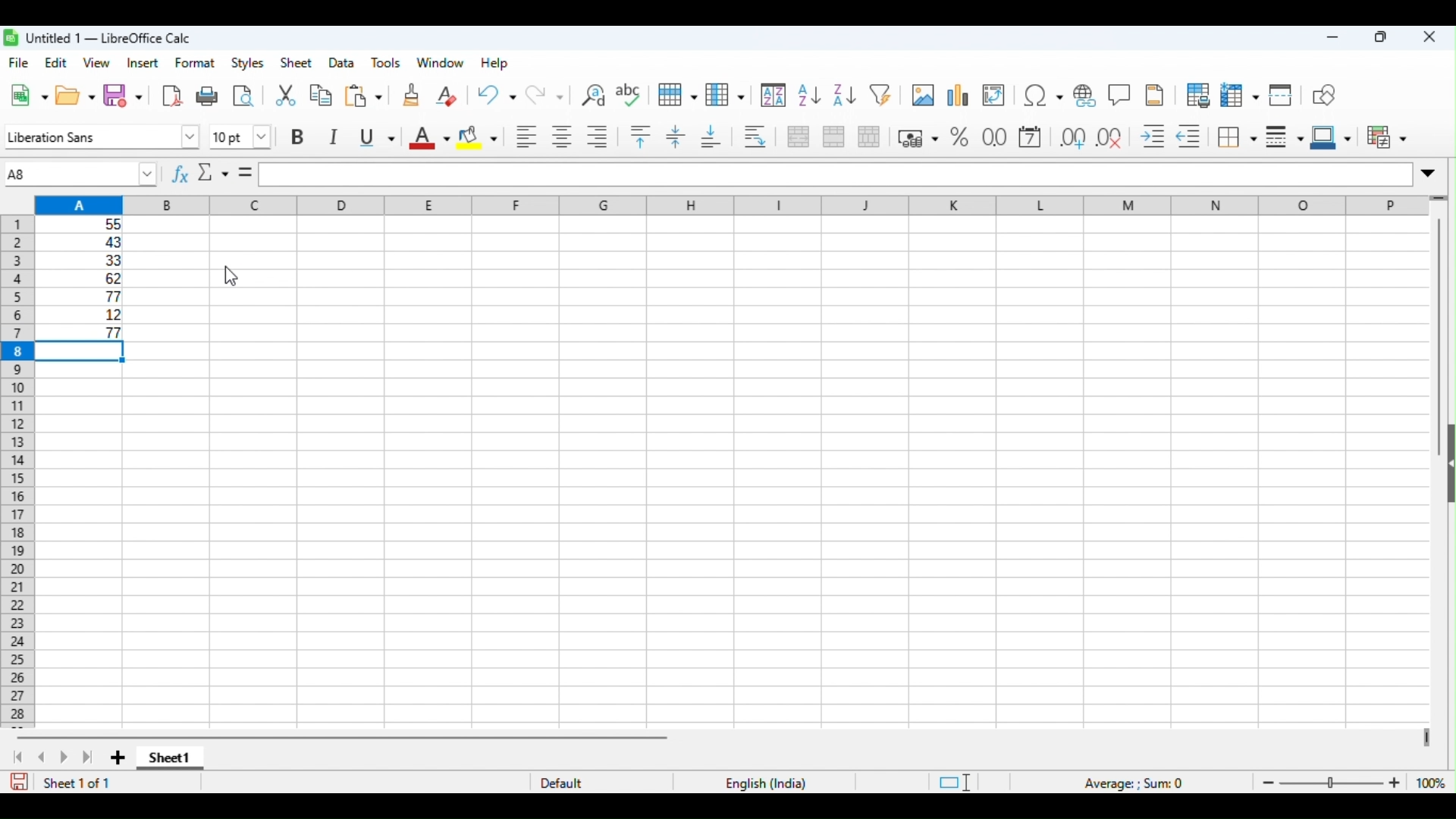 The width and height of the screenshot is (1456, 819). Describe the element at coordinates (118, 756) in the screenshot. I see `add new sheet` at that location.